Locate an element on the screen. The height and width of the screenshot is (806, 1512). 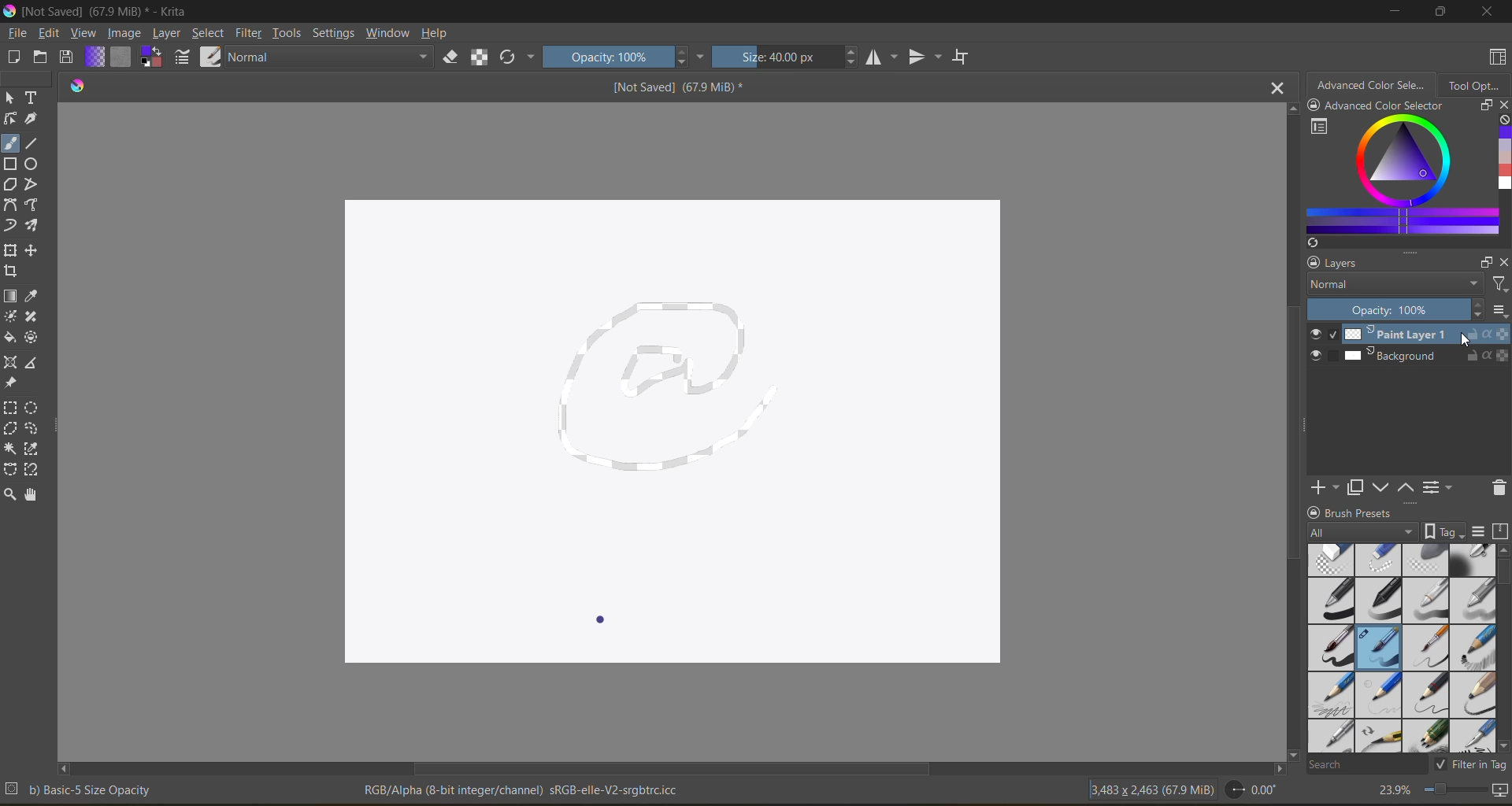
close tab is located at coordinates (1280, 87).